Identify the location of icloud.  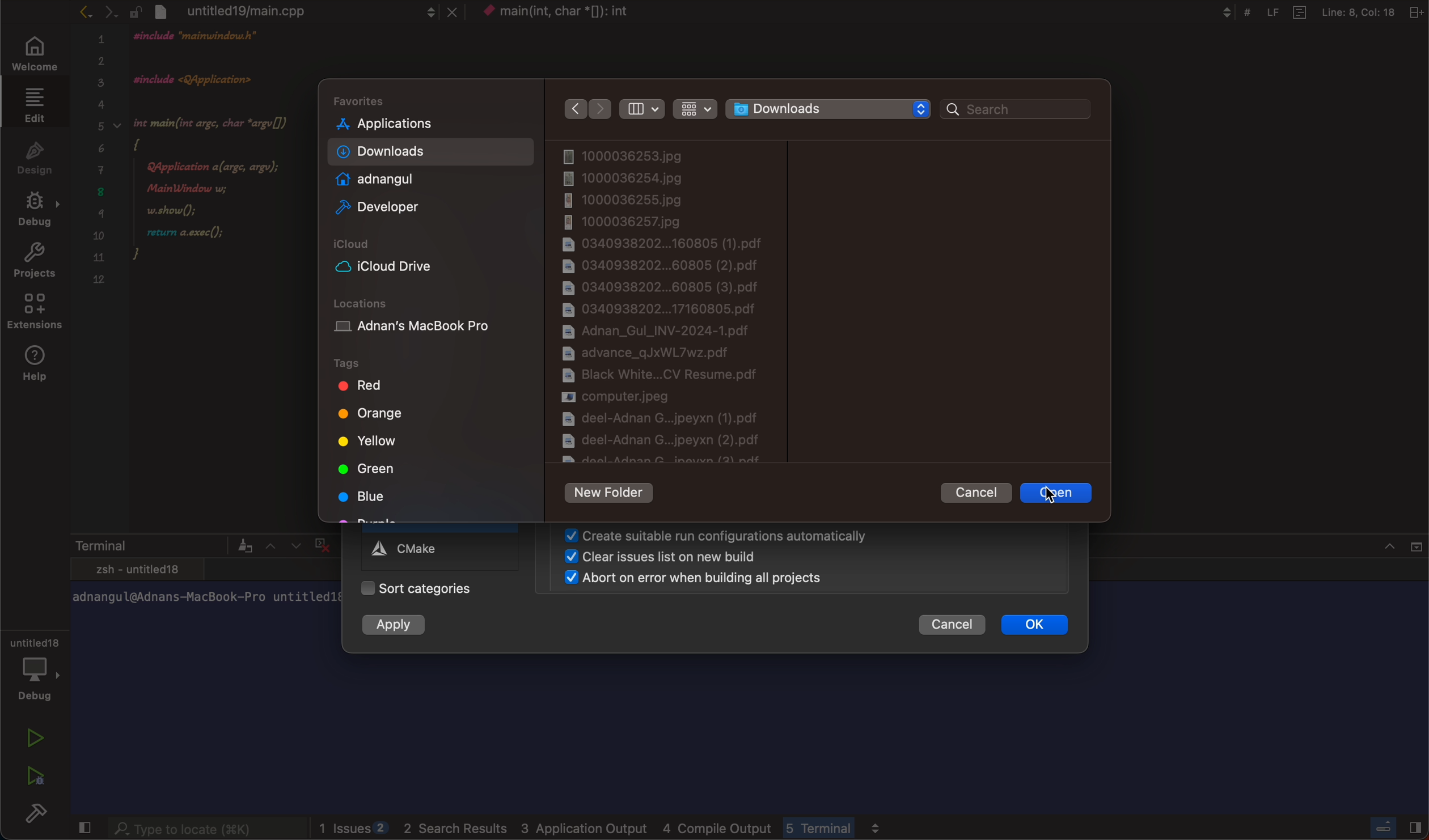
(433, 262).